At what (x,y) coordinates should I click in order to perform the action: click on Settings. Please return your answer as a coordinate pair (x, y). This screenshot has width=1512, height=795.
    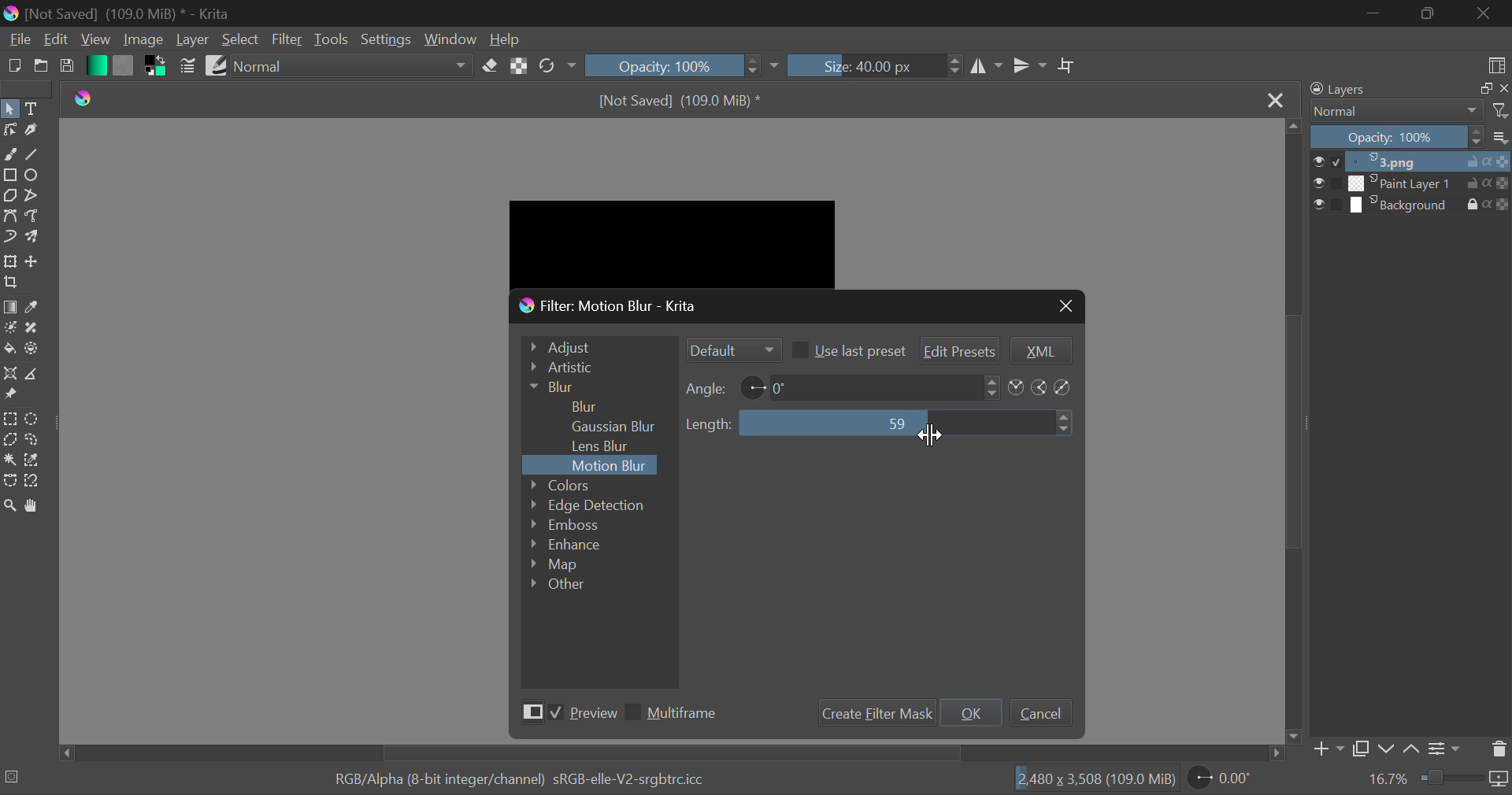
    Looking at the image, I should click on (1447, 747).